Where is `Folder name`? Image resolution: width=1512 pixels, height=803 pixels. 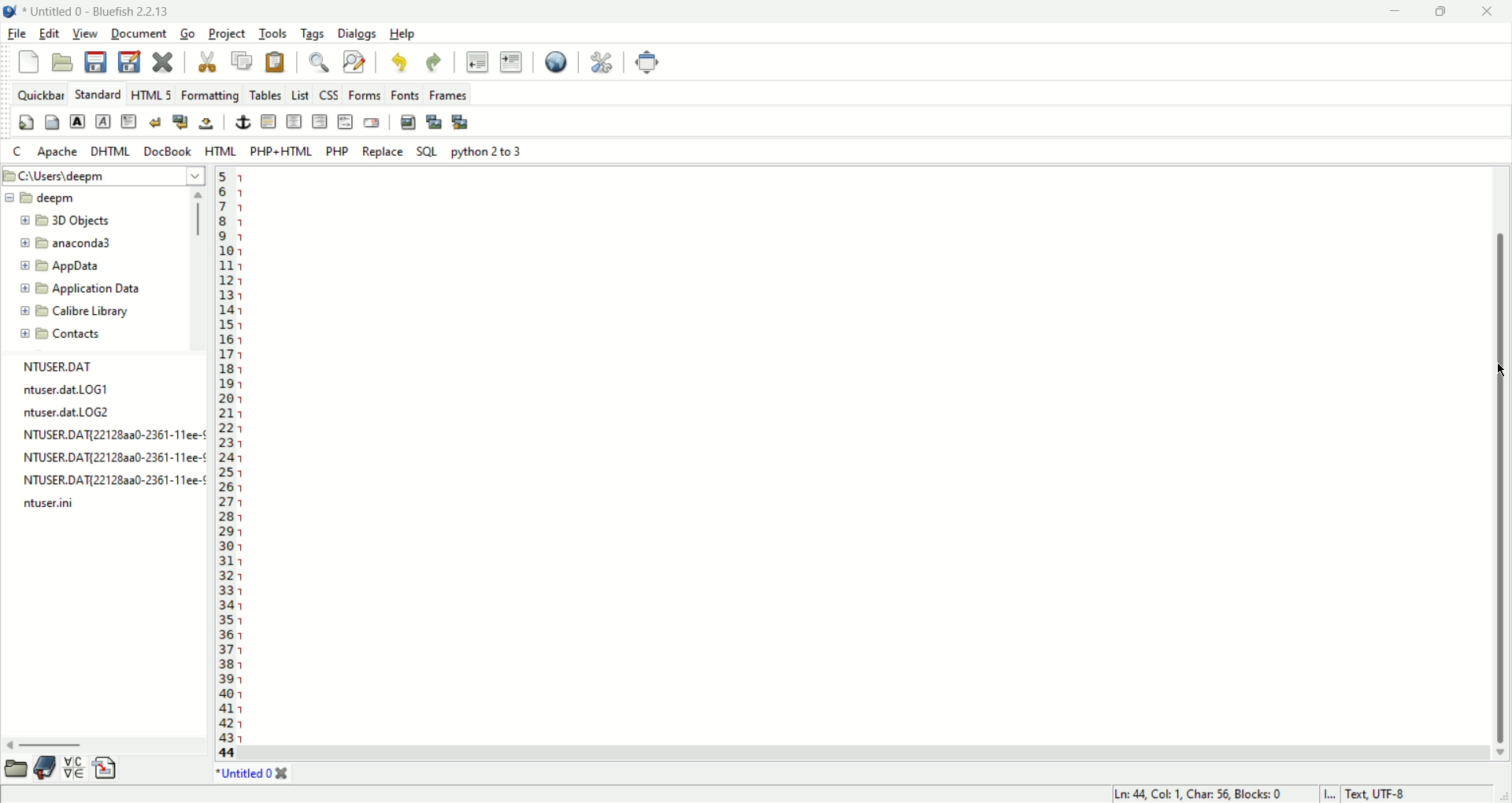
Folder name is located at coordinates (80, 287).